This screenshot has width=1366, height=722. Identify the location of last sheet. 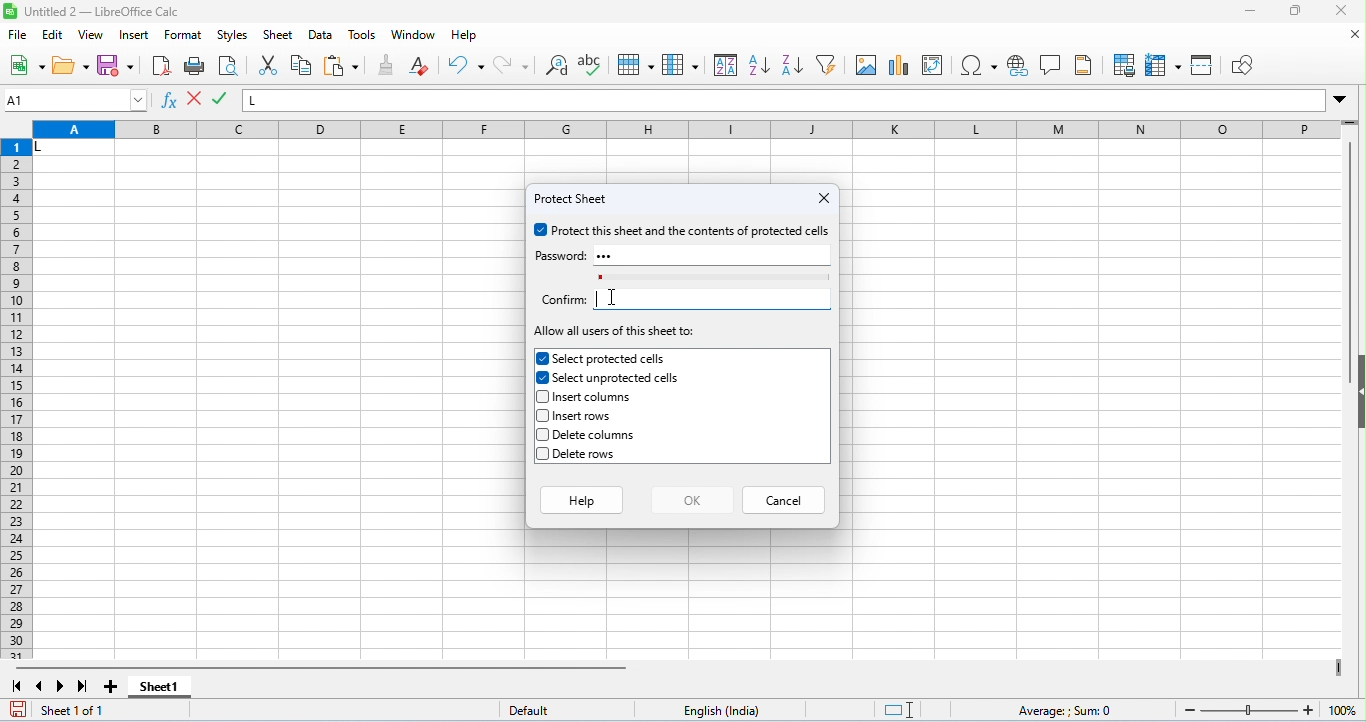
(83, 686).